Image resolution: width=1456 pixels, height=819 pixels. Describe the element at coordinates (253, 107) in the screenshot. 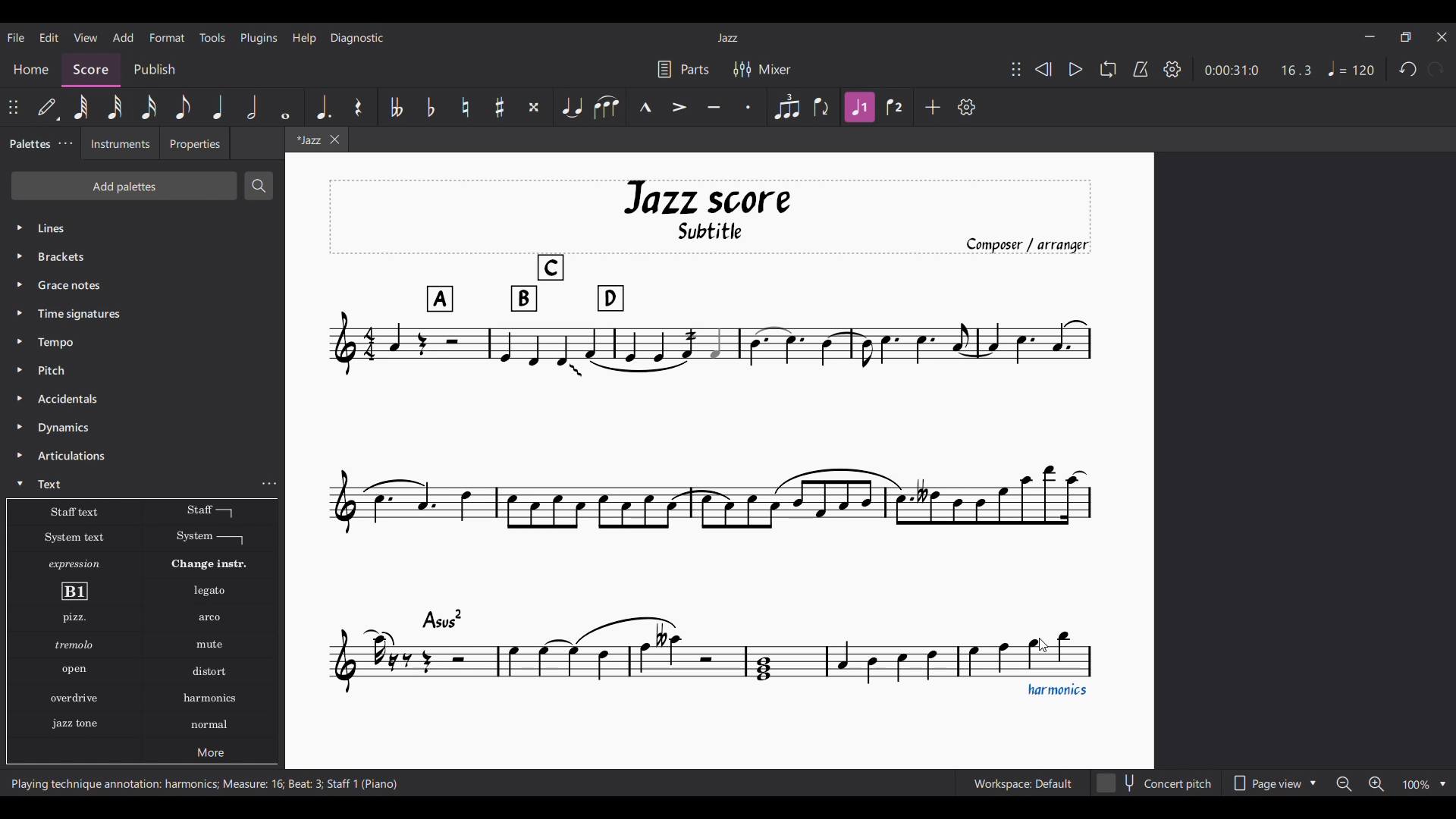

I see `Half note` at that location.